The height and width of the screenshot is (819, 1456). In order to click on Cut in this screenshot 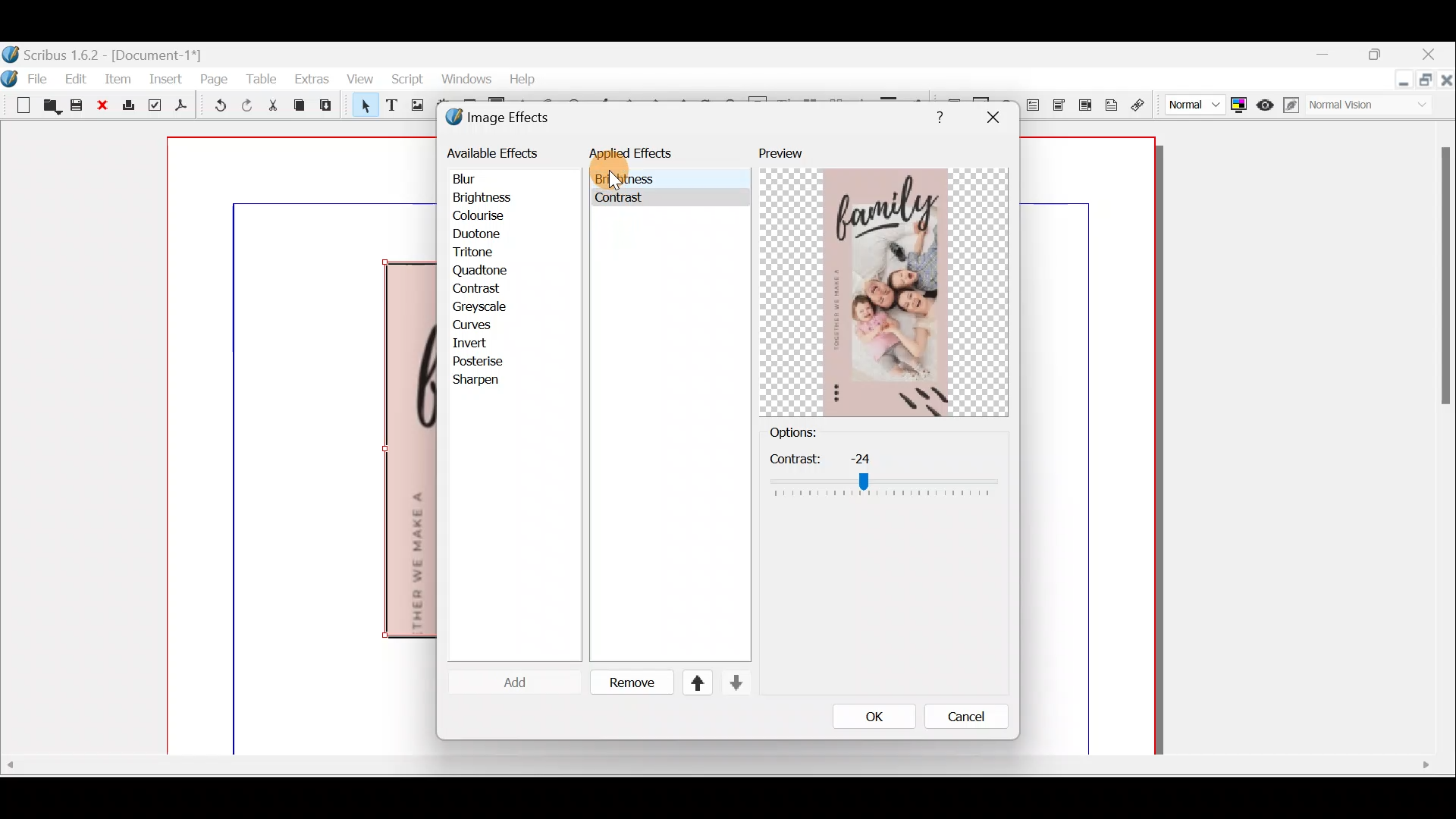, I will do `click(272, 108)`.